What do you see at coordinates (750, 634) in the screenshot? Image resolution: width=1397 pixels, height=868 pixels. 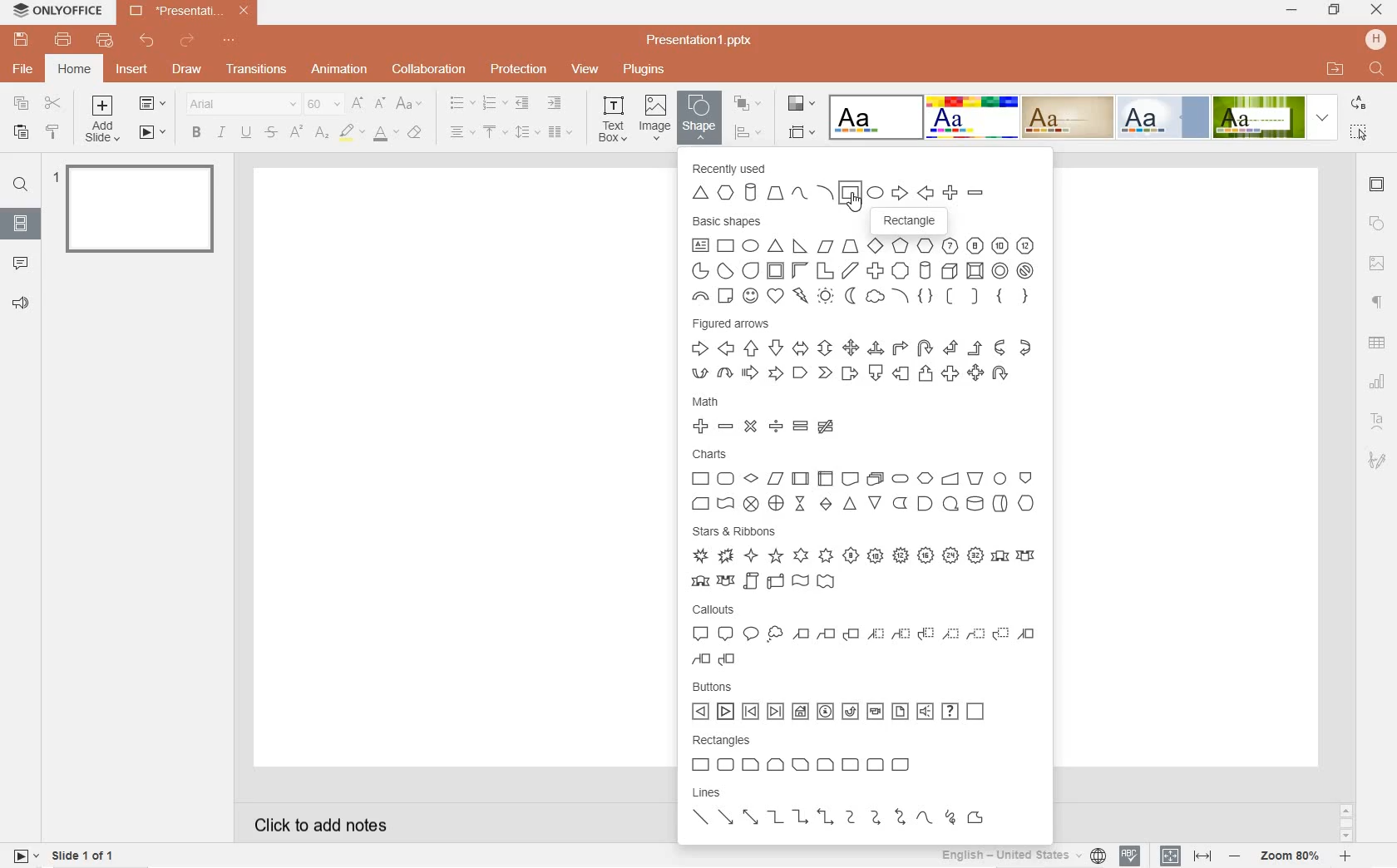 I see `Oval Callout` at bounding box center [750, 634].